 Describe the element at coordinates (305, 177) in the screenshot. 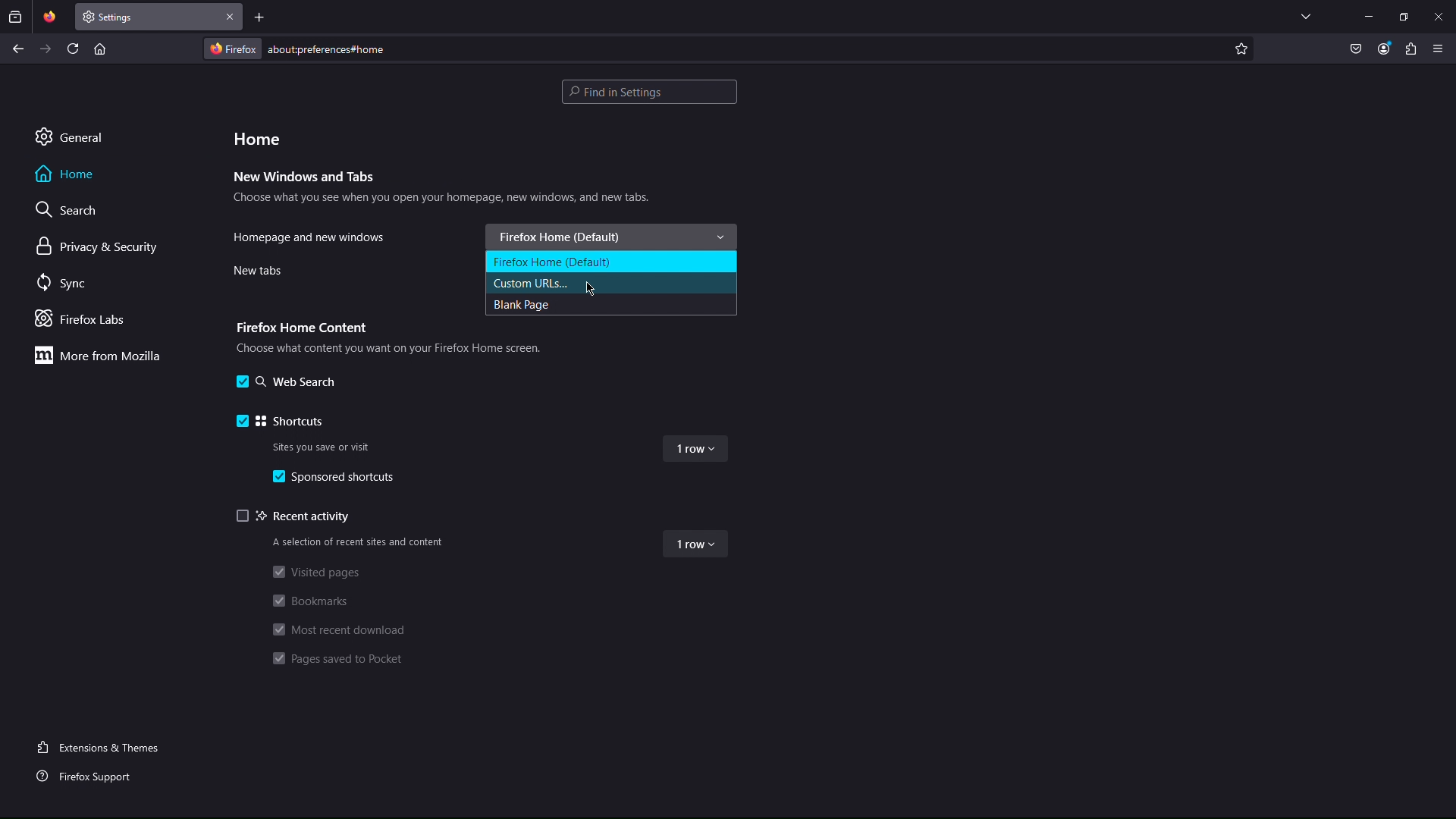

I see `New Windows and Tabs` at that location.